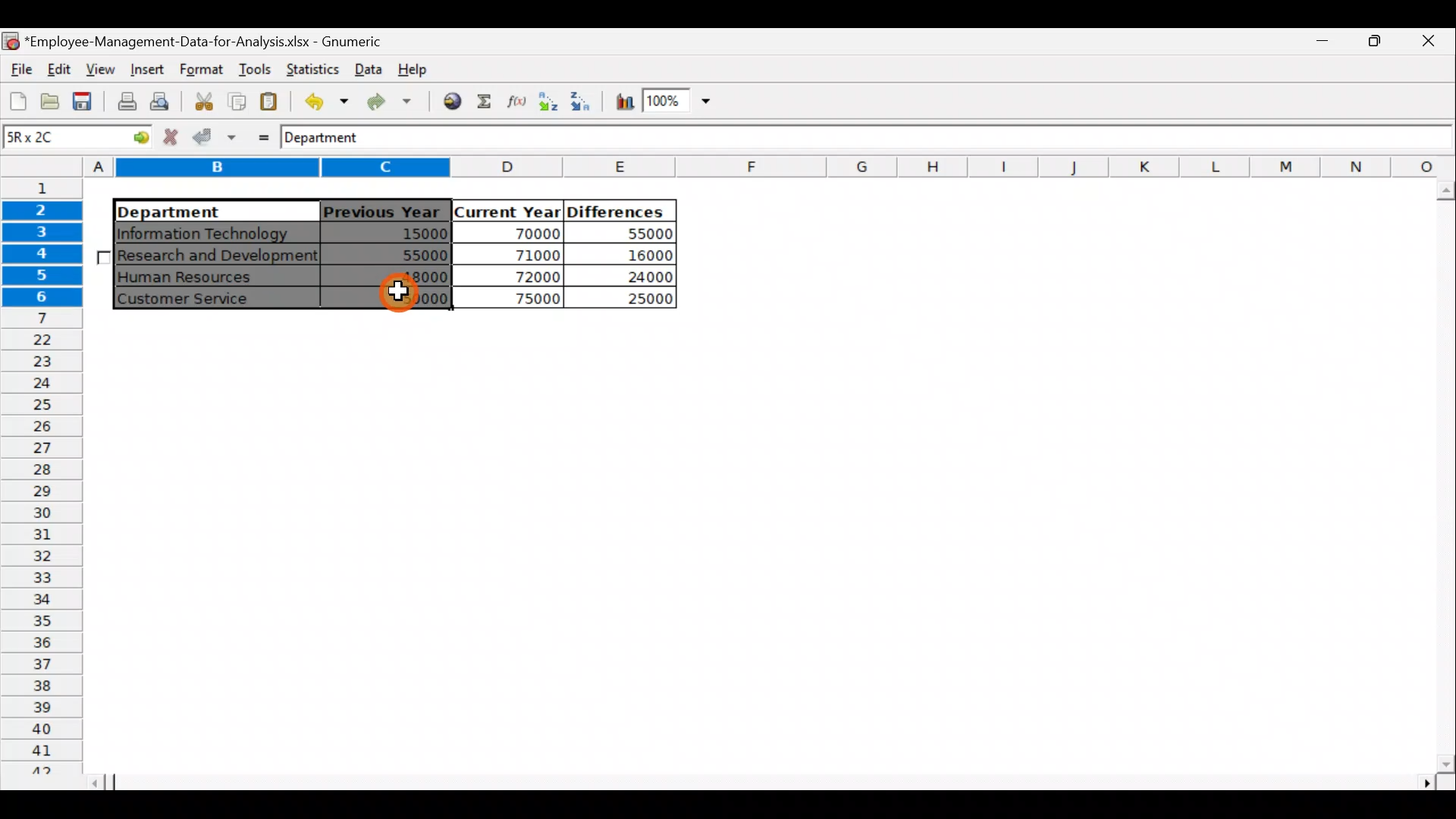 The image size is (1456, 819). What do you see at coordinates (632, 277) in the screenshot?
I see `24000` at bounding box center [632, 277].